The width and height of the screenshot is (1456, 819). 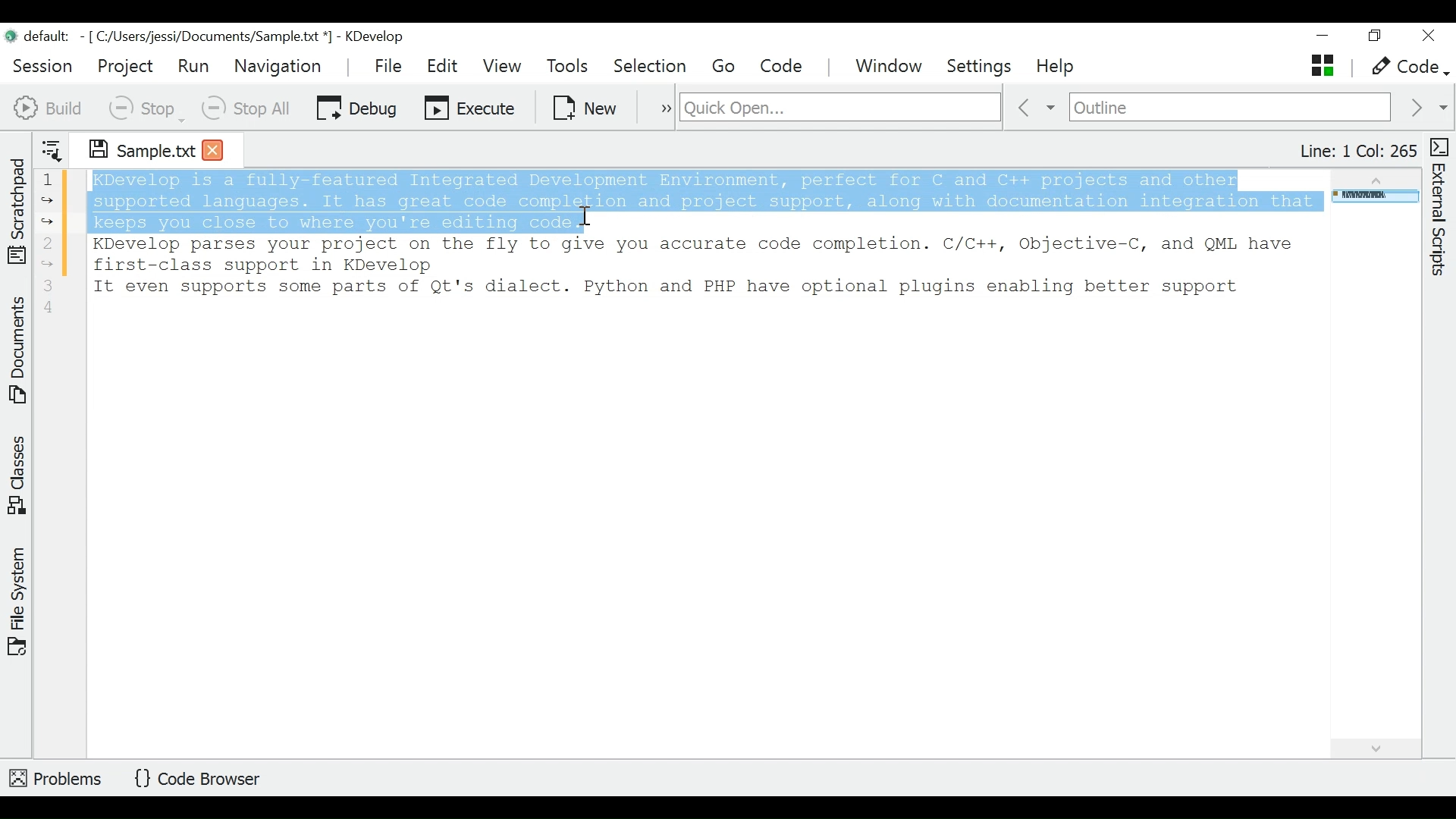 I want to click on Session, so click(x=43, y=64).